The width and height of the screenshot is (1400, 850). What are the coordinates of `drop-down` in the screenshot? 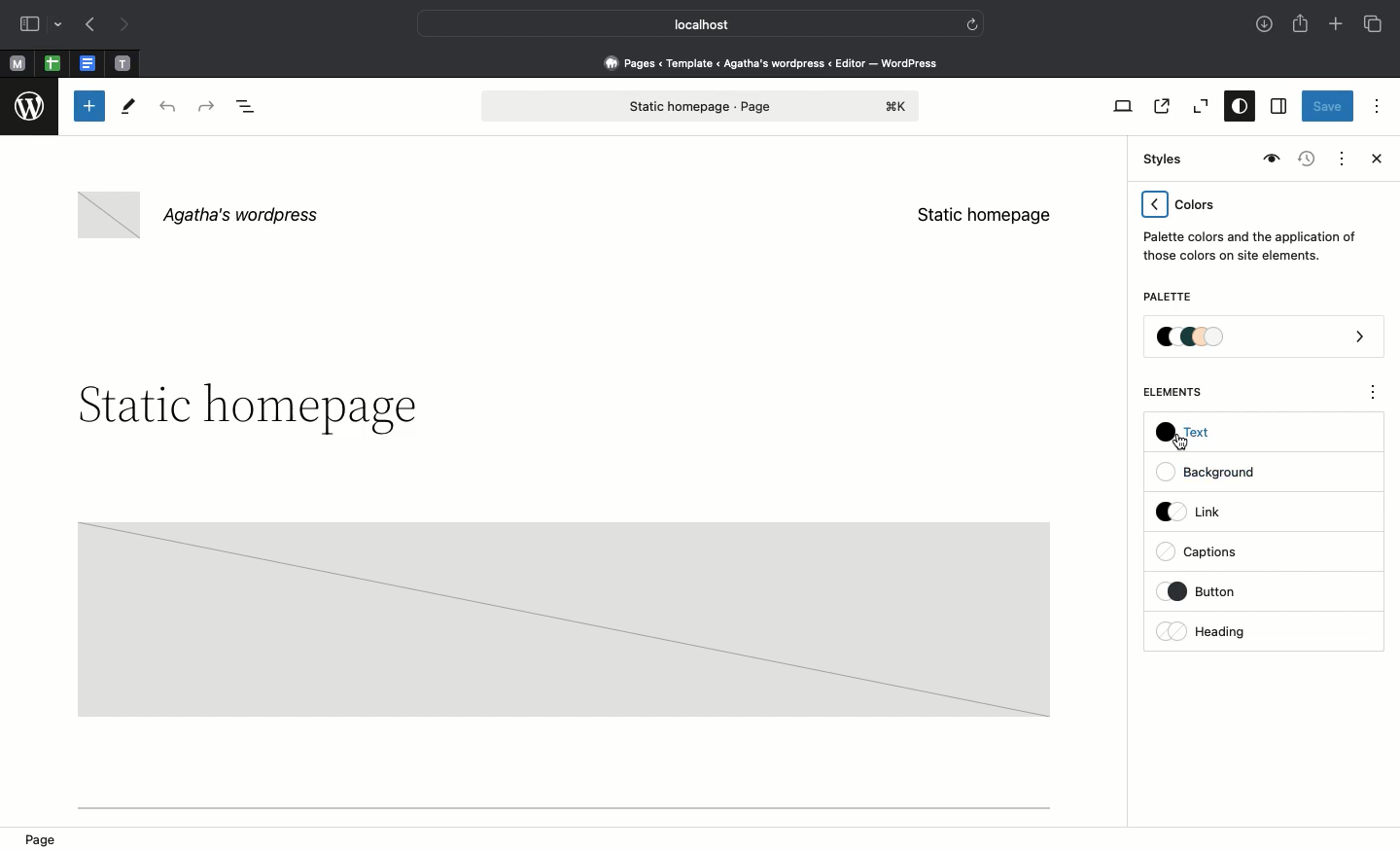 It's located at (61, 25).